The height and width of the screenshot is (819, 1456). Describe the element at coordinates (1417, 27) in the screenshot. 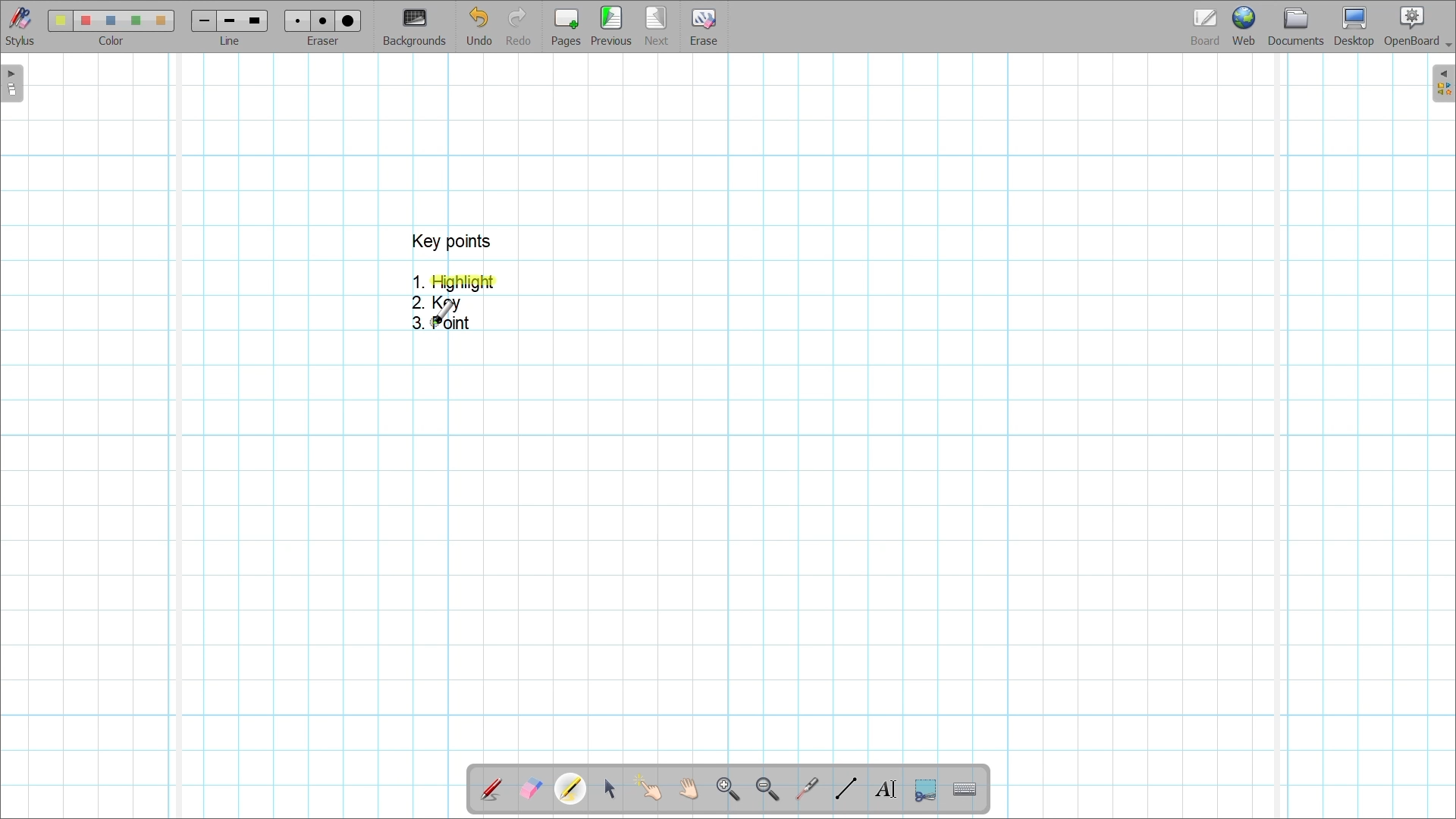

I see `OpenBoard` at that location.